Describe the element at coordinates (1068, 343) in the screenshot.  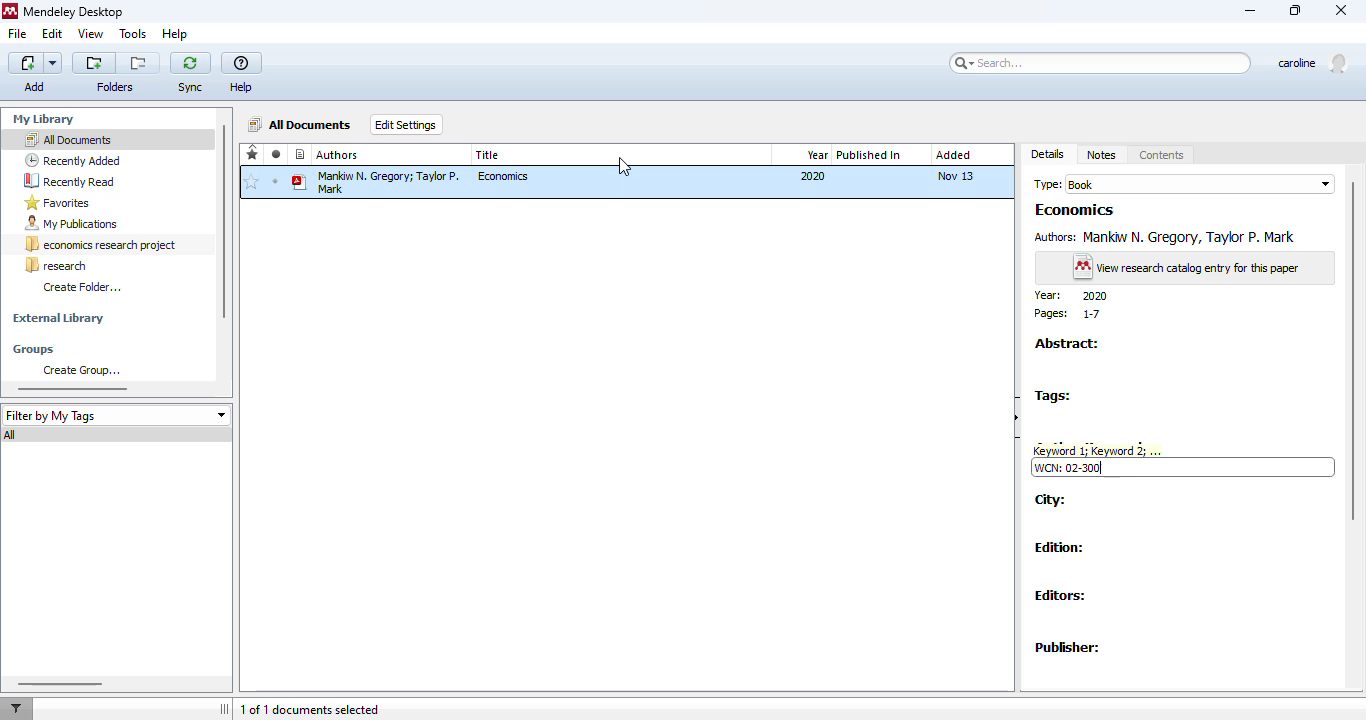
I see `abstract` at that location.